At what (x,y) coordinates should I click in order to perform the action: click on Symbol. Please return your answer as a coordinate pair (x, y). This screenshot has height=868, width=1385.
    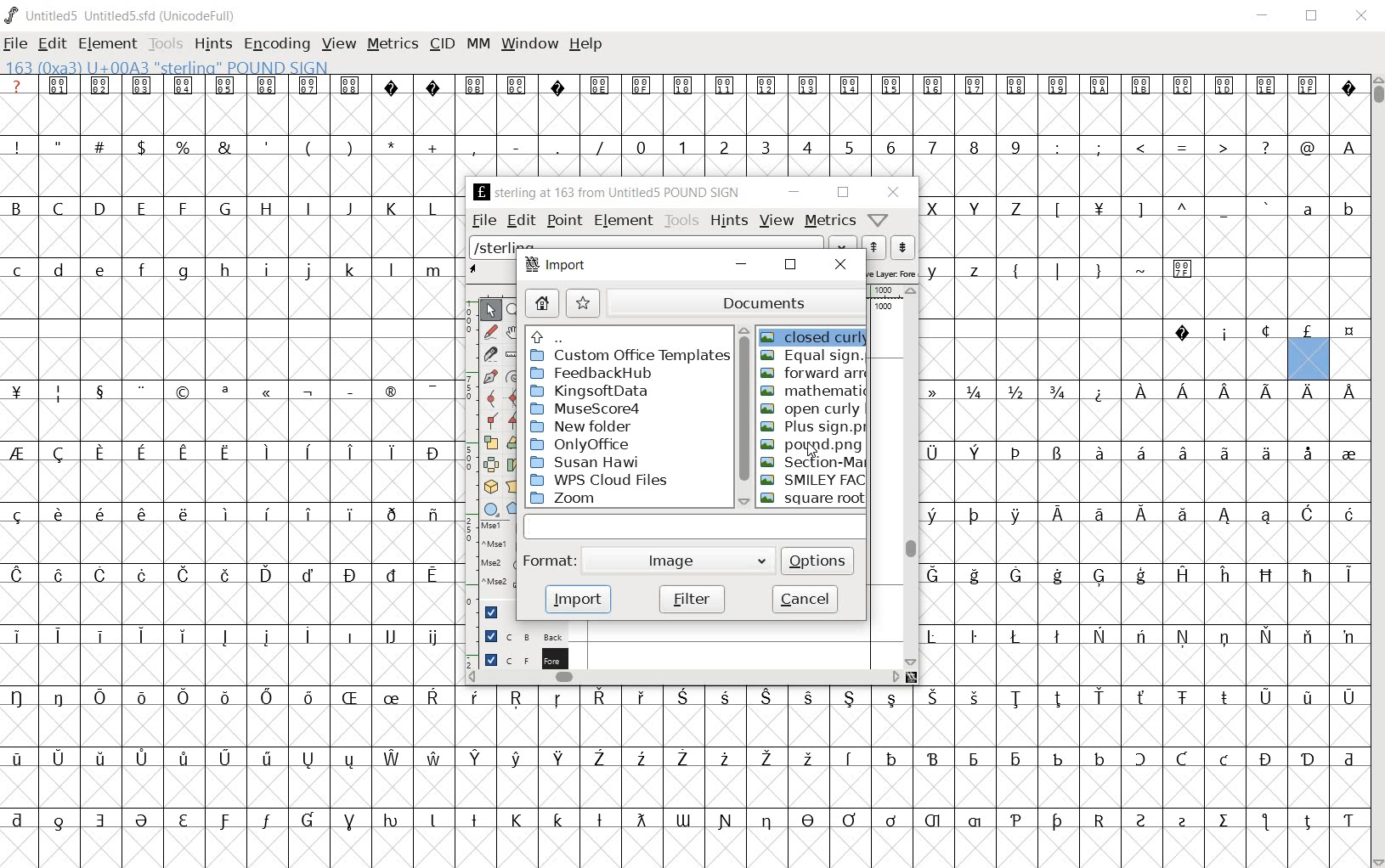
    Looking at the image, I should click on (1142, 88).